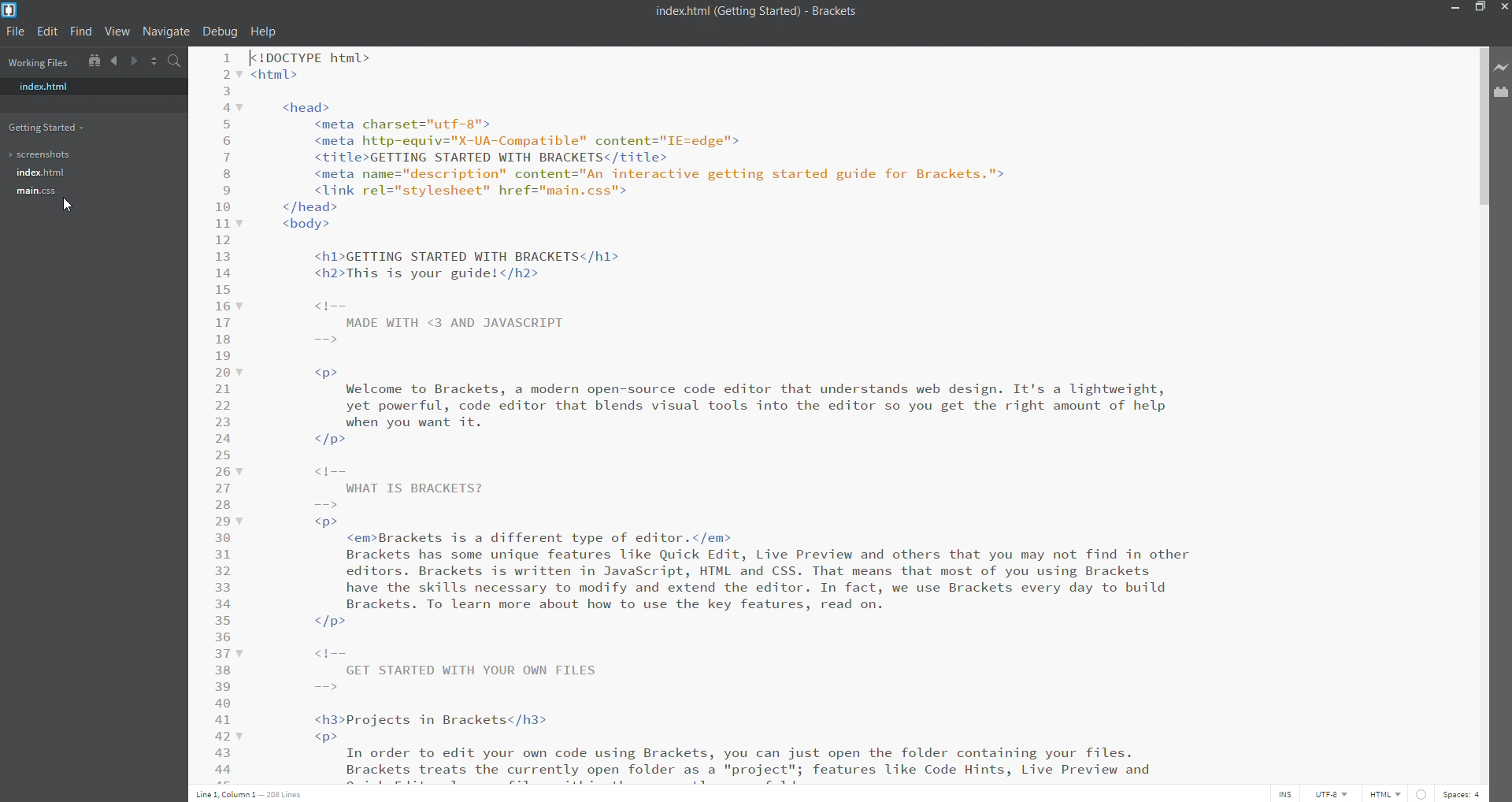 The image size is (1512, 802). Describe the element at coordinates (168, 31) in the screenshot. I see `navigate` at that location.